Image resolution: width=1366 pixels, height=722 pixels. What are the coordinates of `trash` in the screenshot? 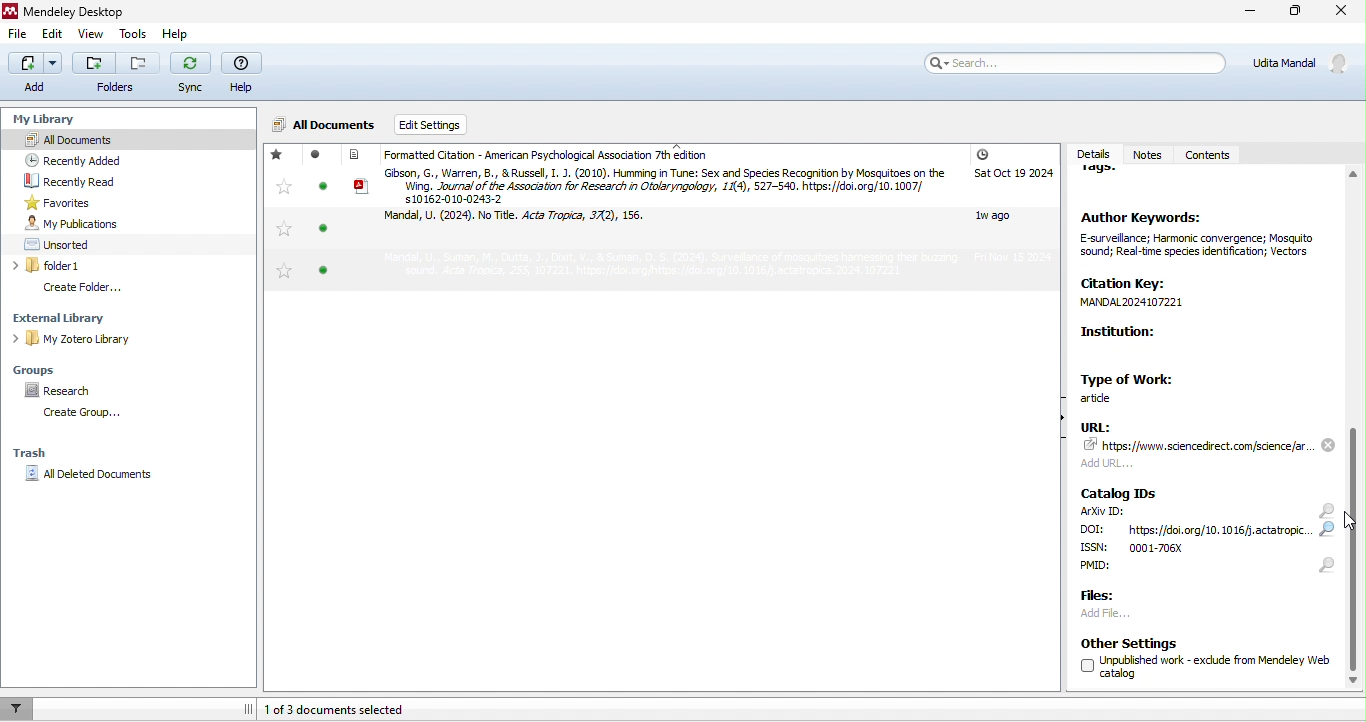 It's located at (43, 450).